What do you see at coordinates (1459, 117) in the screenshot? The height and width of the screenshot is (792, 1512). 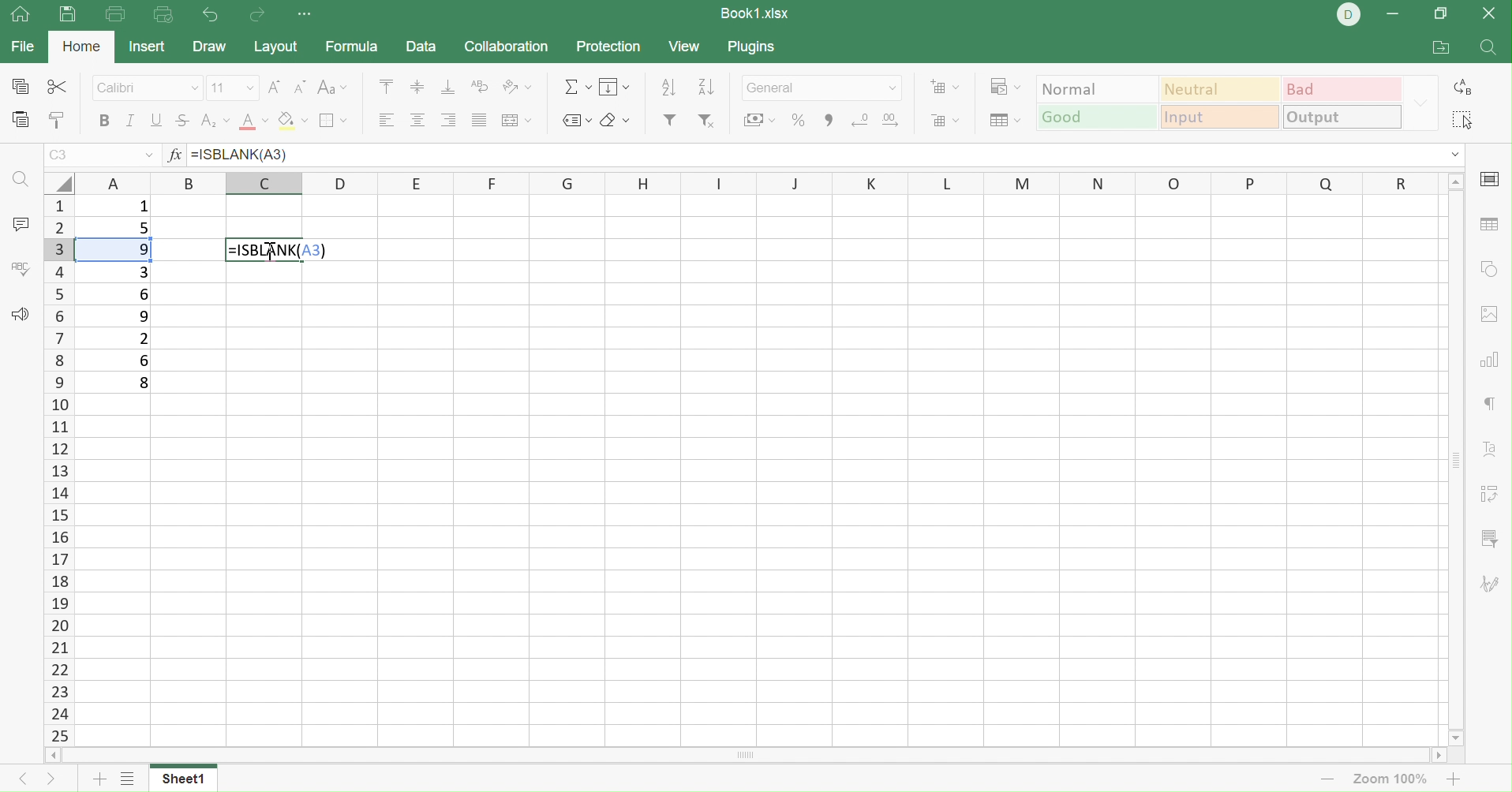 I see `Select all` at bounding box center [1459, 117].